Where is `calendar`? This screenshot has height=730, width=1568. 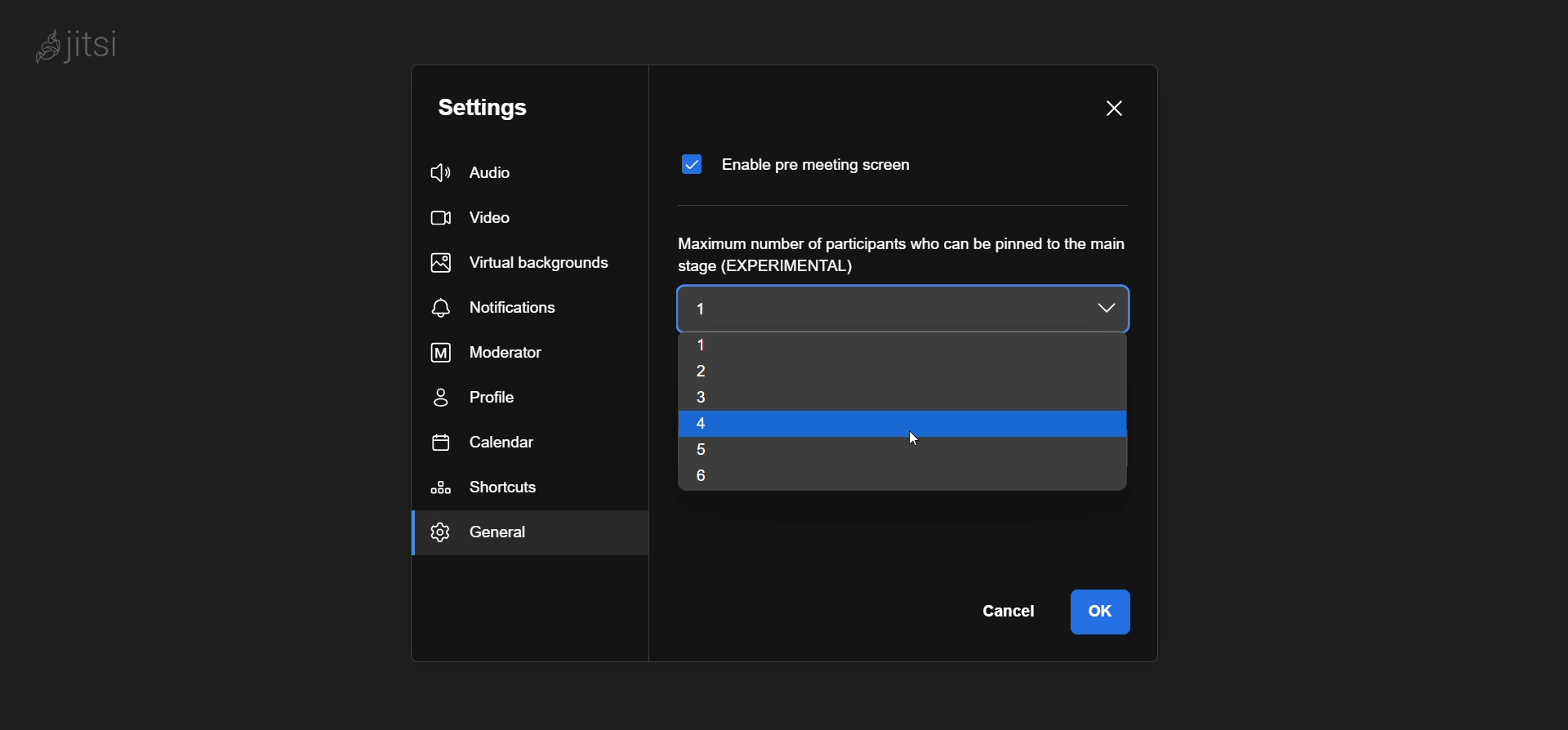 calendar is located at coordinates (484, 441).